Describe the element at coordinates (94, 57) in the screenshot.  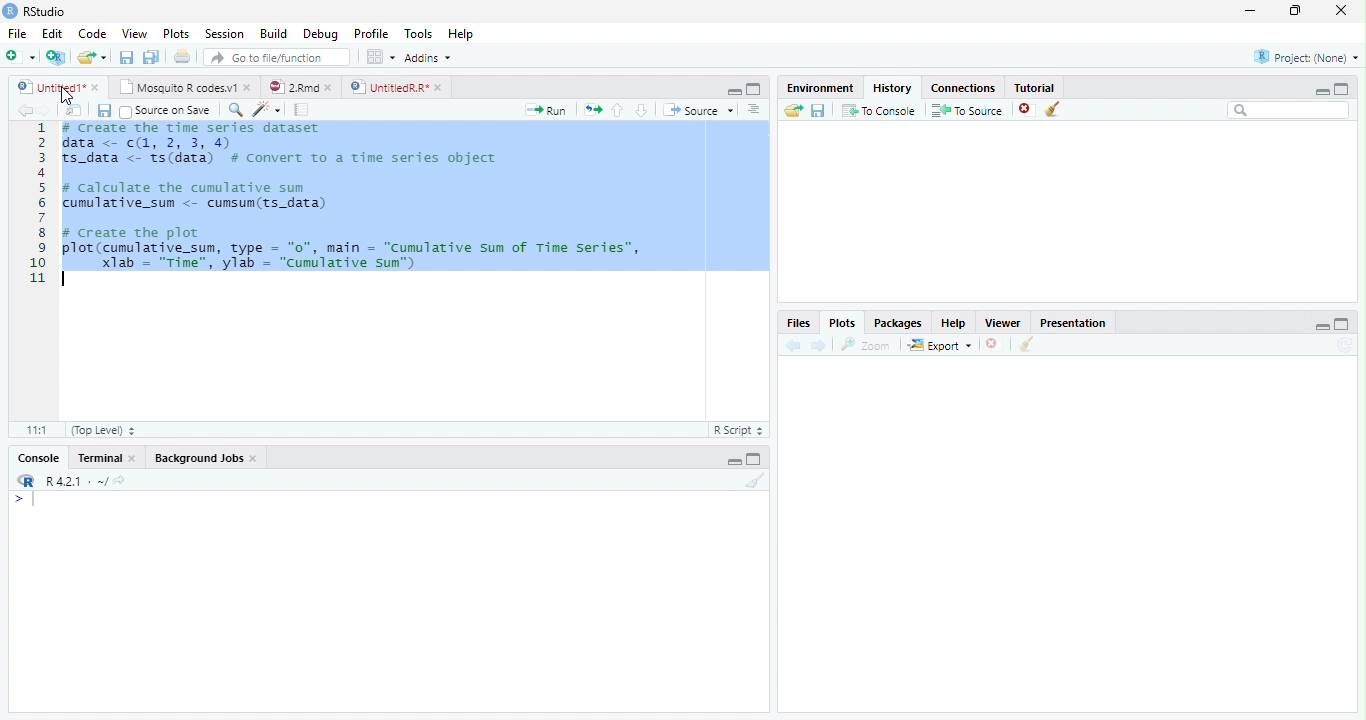
I see `Open an existing file` at that location.